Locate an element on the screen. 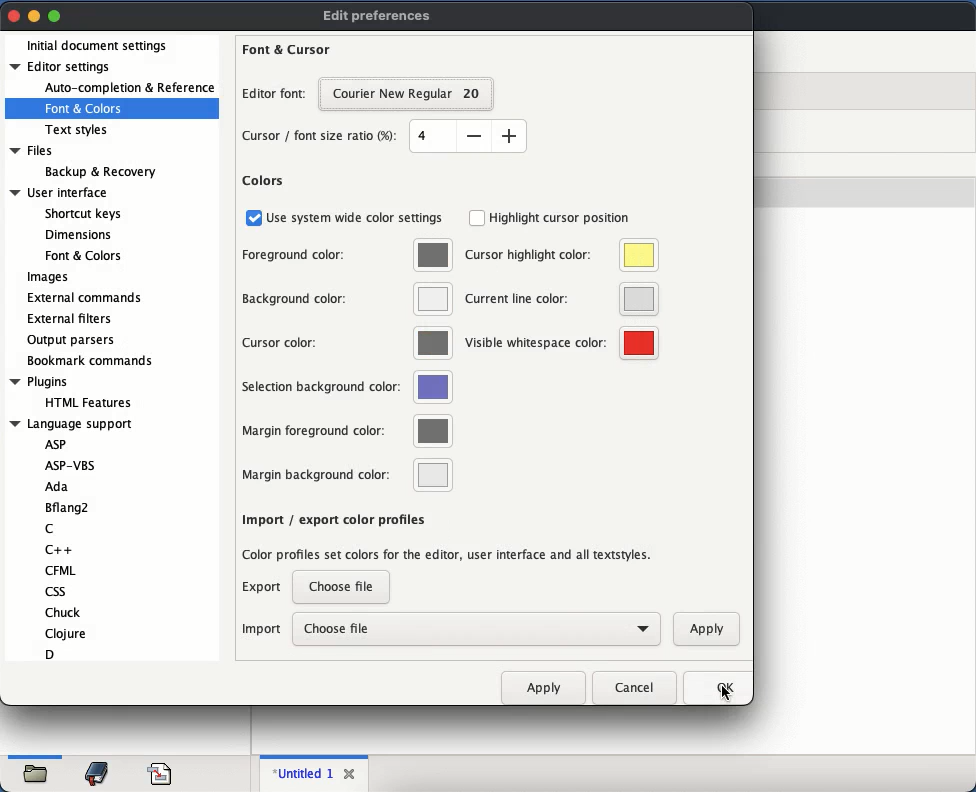  untitled 1 is located at coordinates (305, 773).